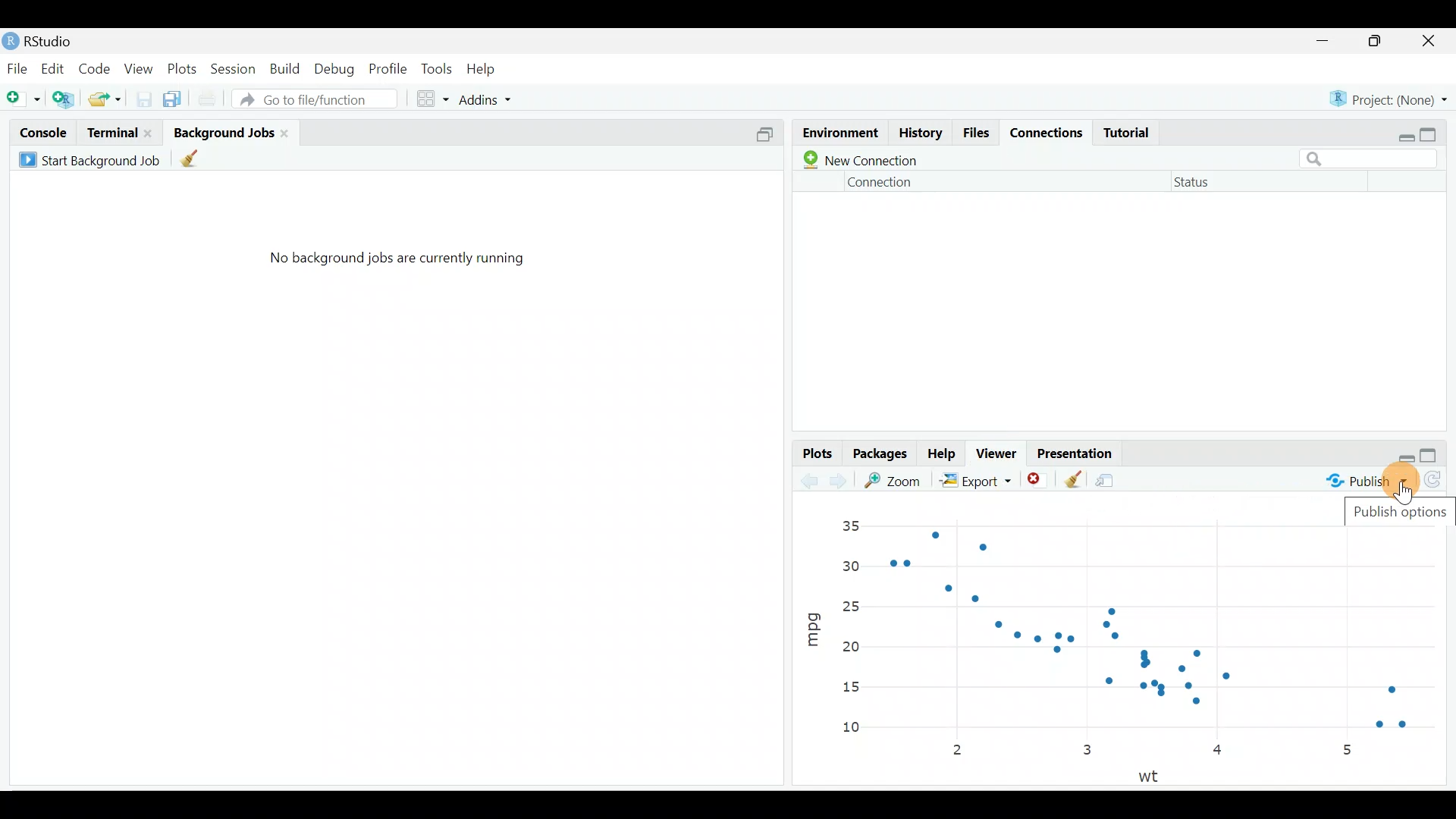  What do you see at coordinates (764, 137) in the screenshot?
I see `Split` at bounding box center [764, 137].